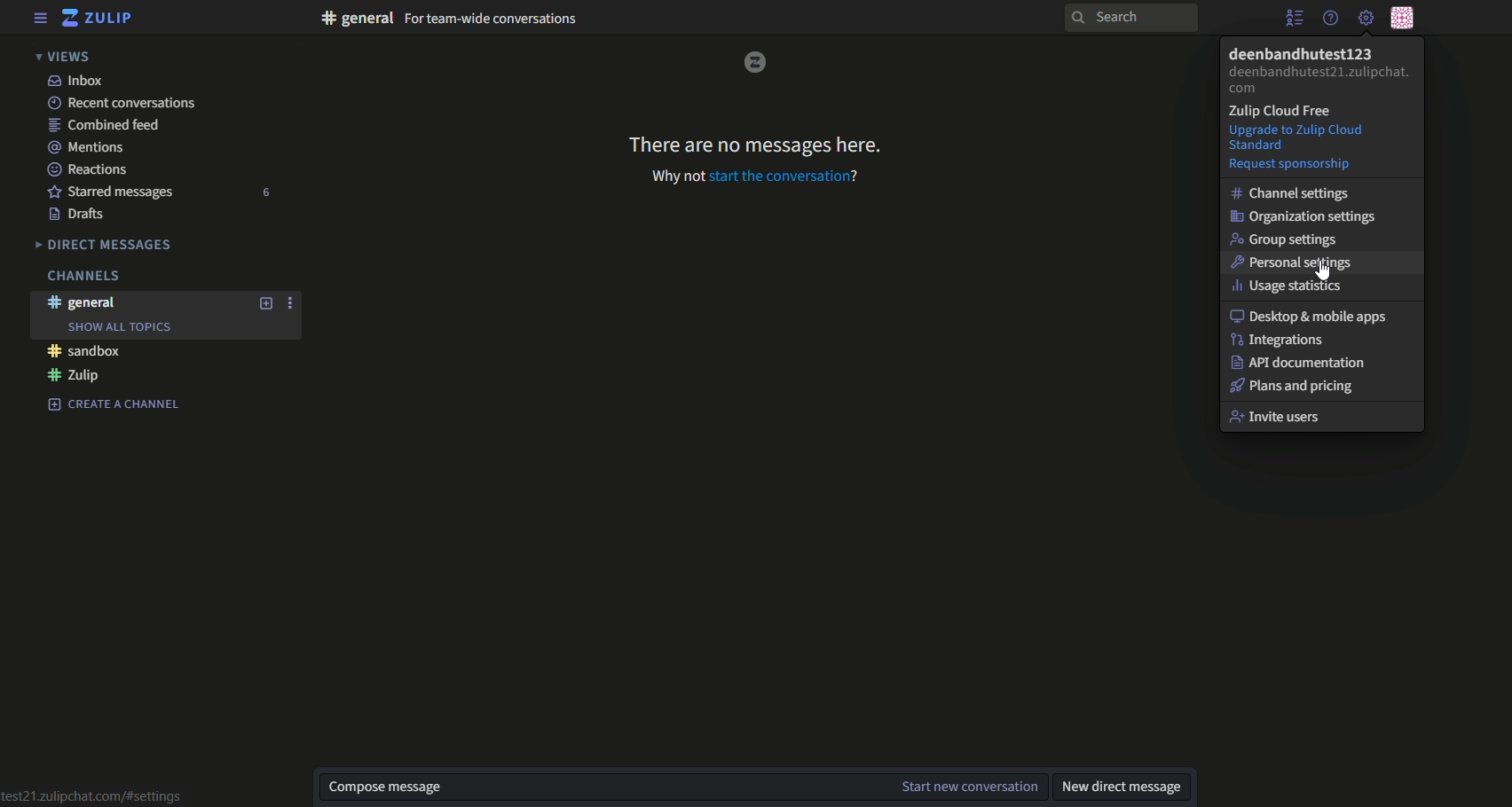  What do you see at coordinates (1294, 18) in the screenshot?
I see `show user list` at bounding box center [1294, 18].